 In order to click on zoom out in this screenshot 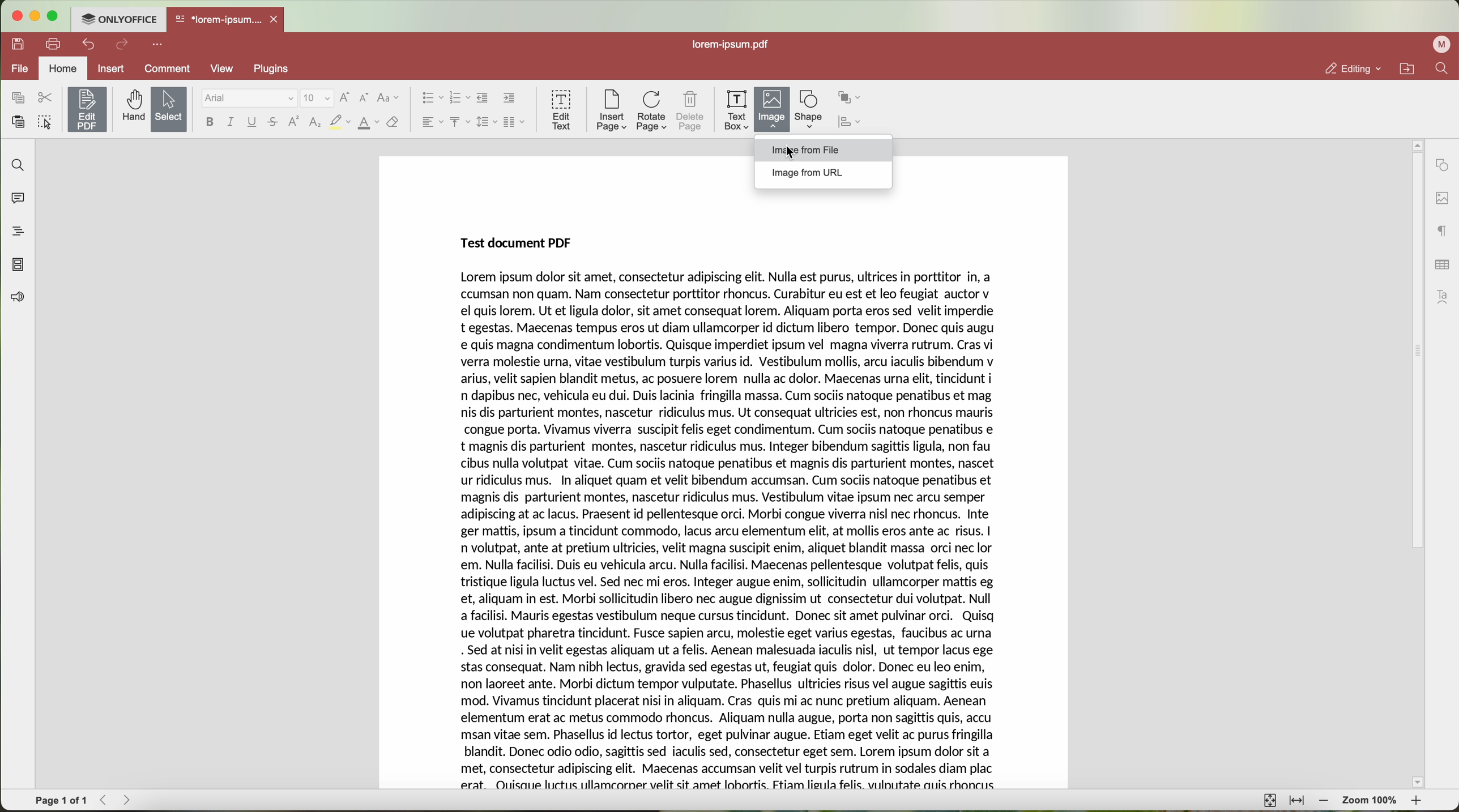, I will do `click(1324, 801)`.